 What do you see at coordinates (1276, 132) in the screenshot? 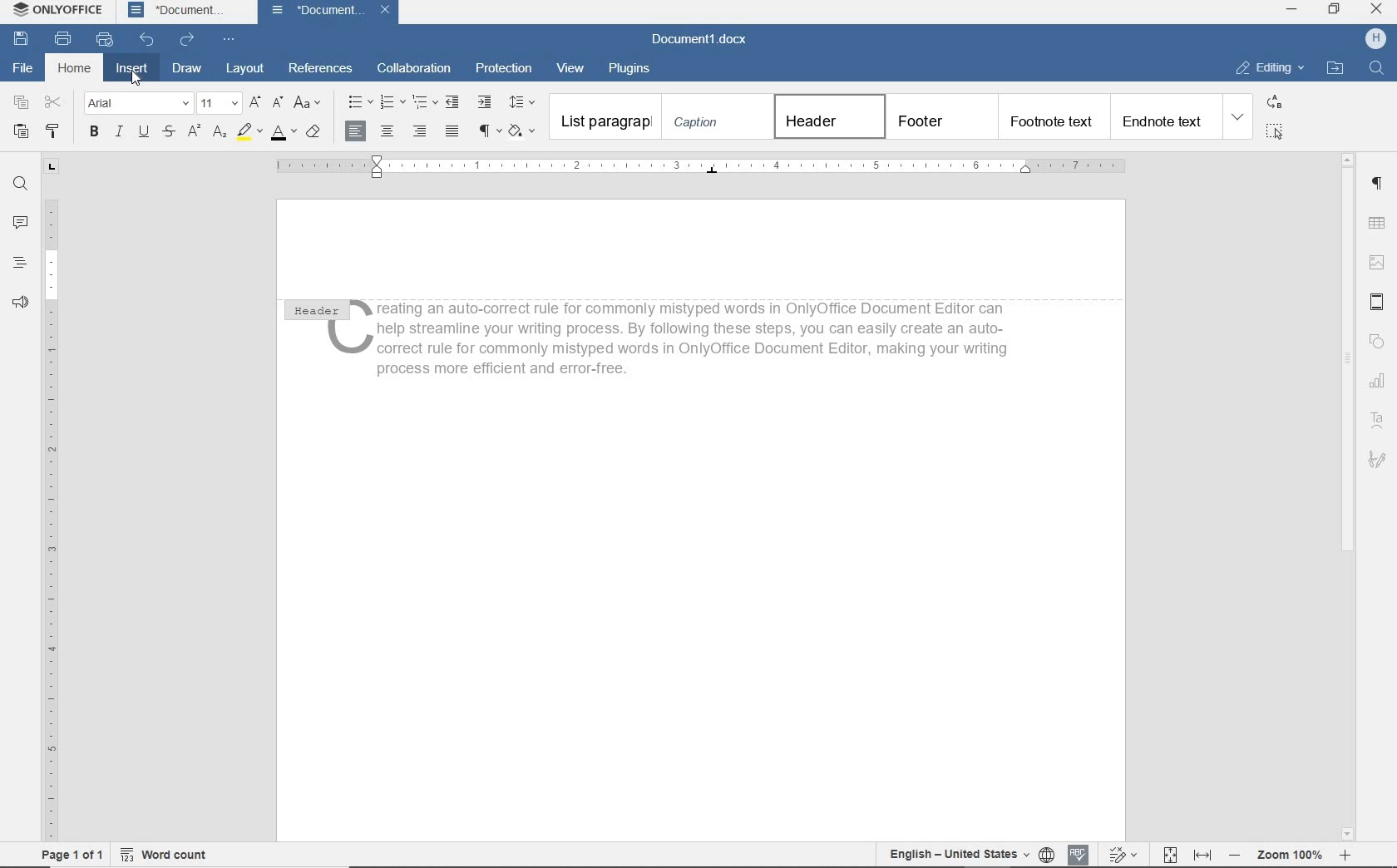
I see `SELECT ALL` at bounding box center [1276, 132].